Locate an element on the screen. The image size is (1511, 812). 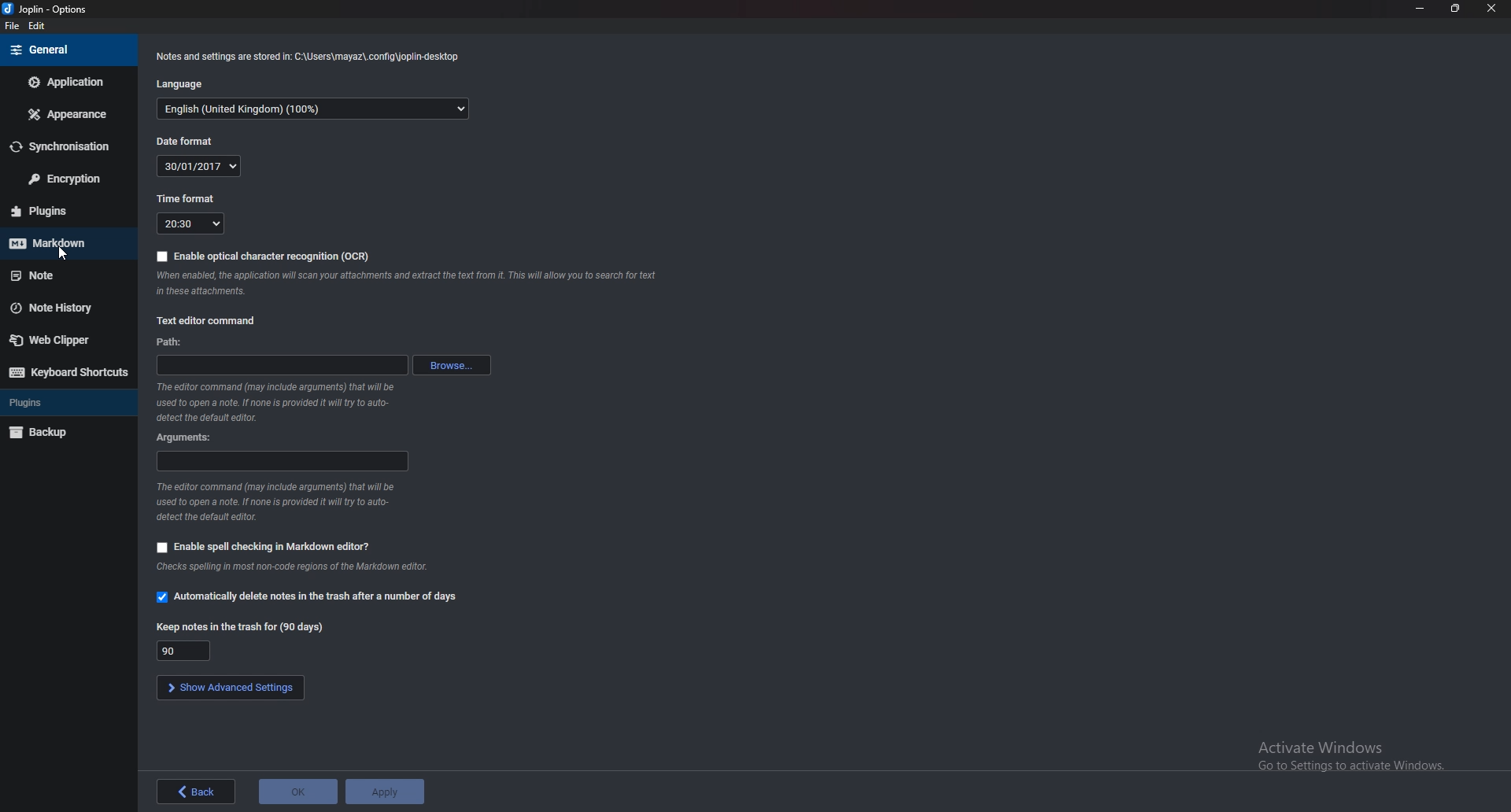
Info is located at coordinates (275, 501).